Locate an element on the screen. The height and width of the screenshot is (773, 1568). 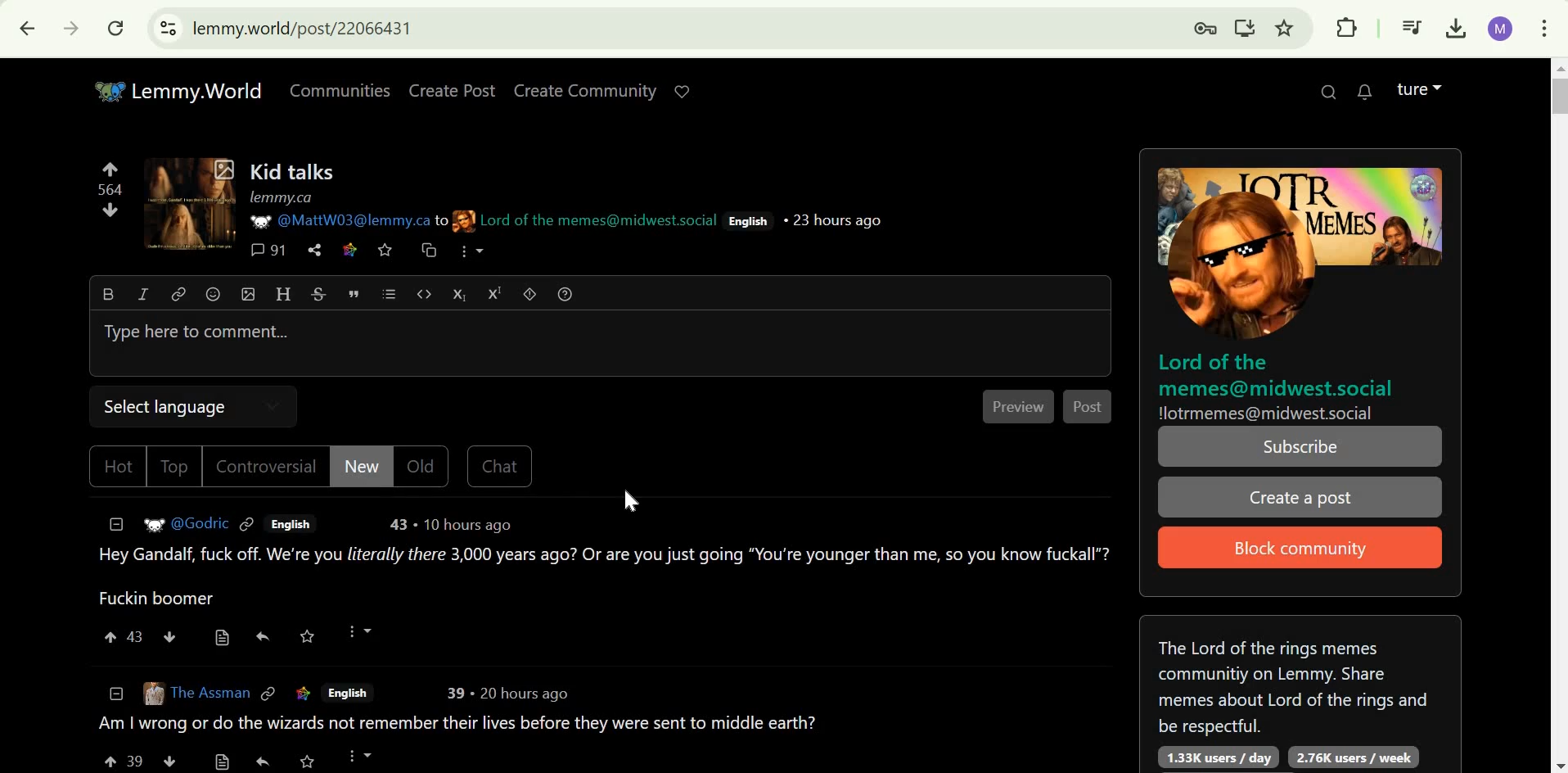
Create Community is located at coordinates (588, 91).